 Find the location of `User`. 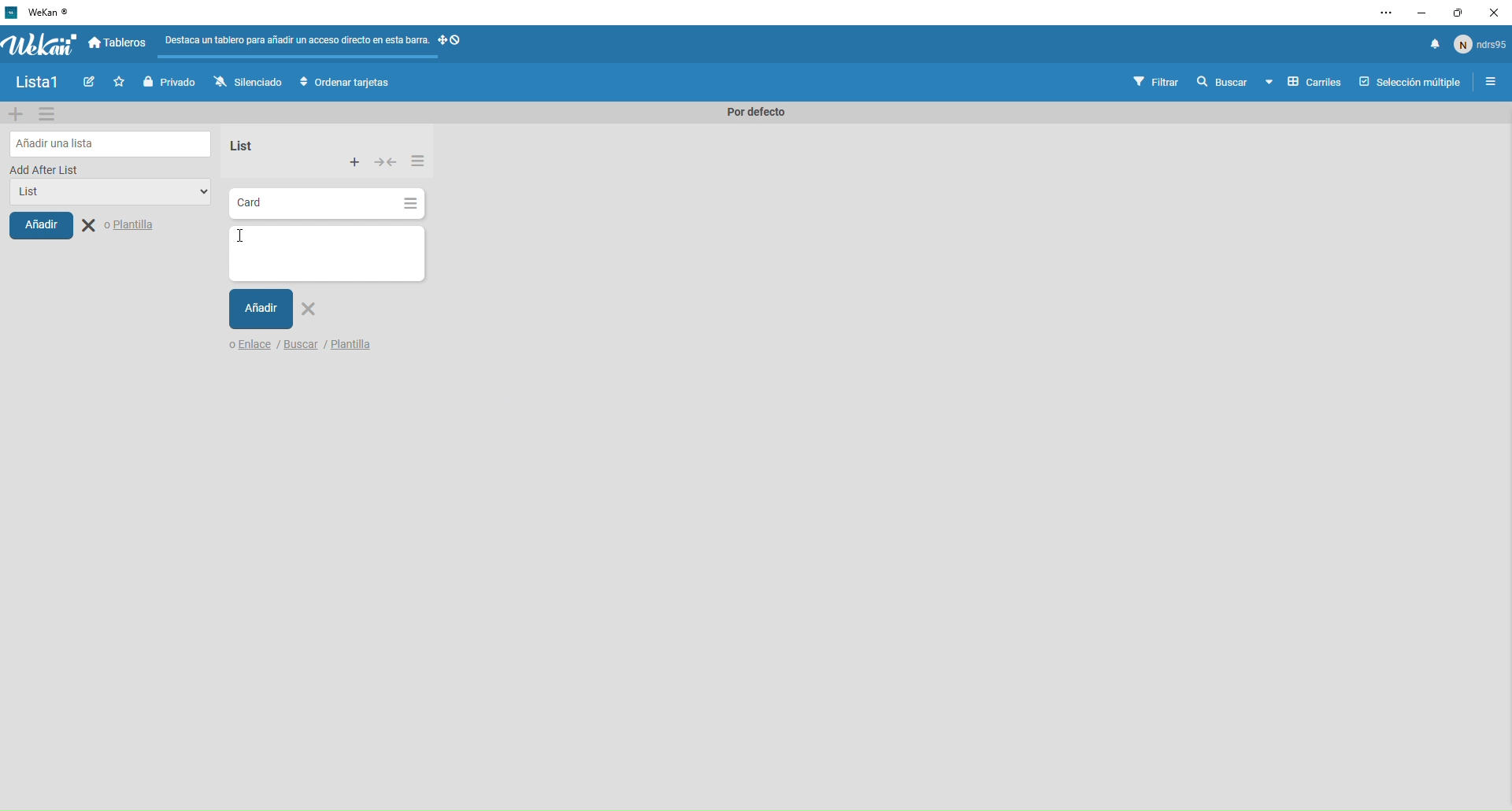

User is located at coordinates (1480, 43).